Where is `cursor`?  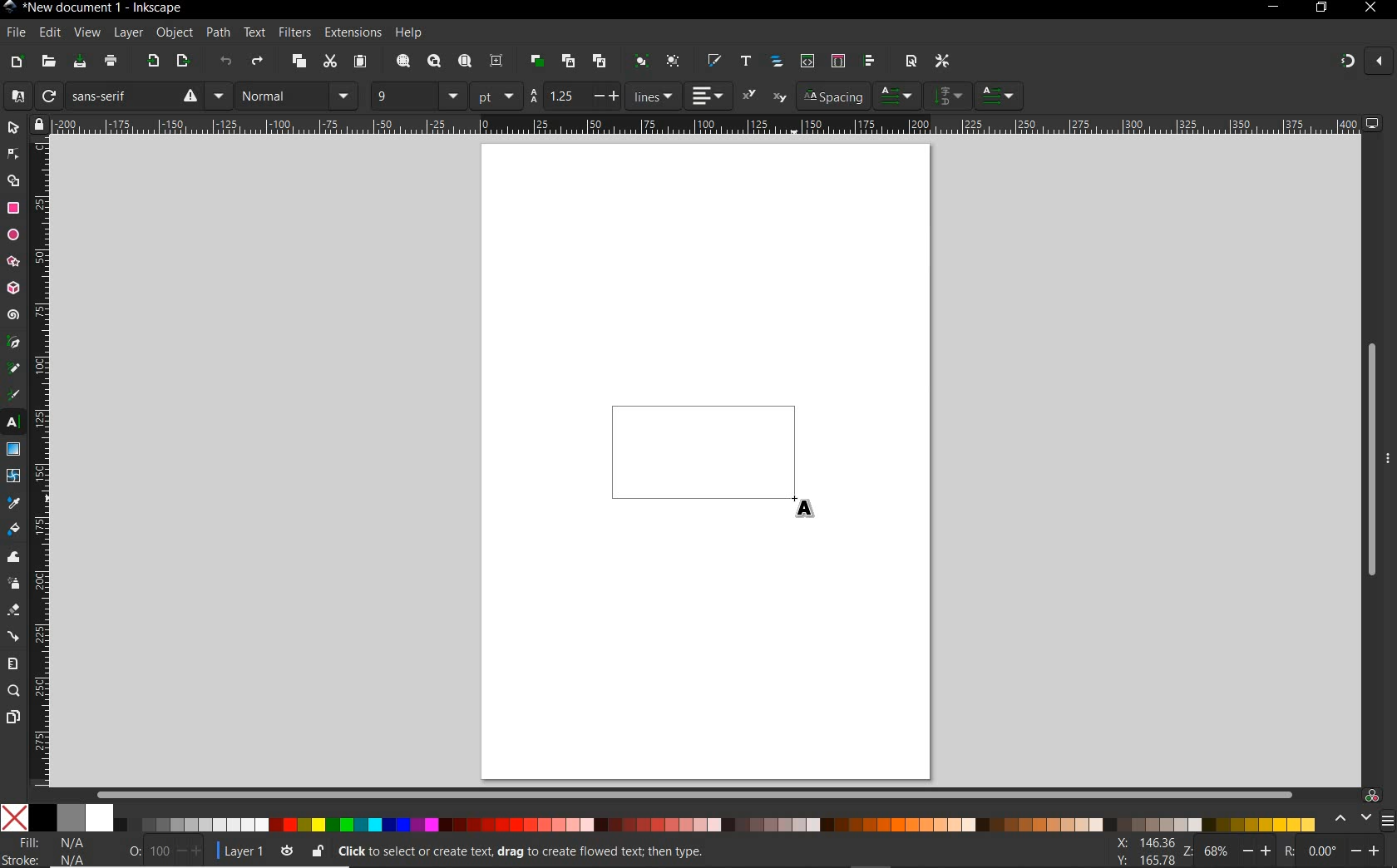 cursor is located at coordinates (807, 507).